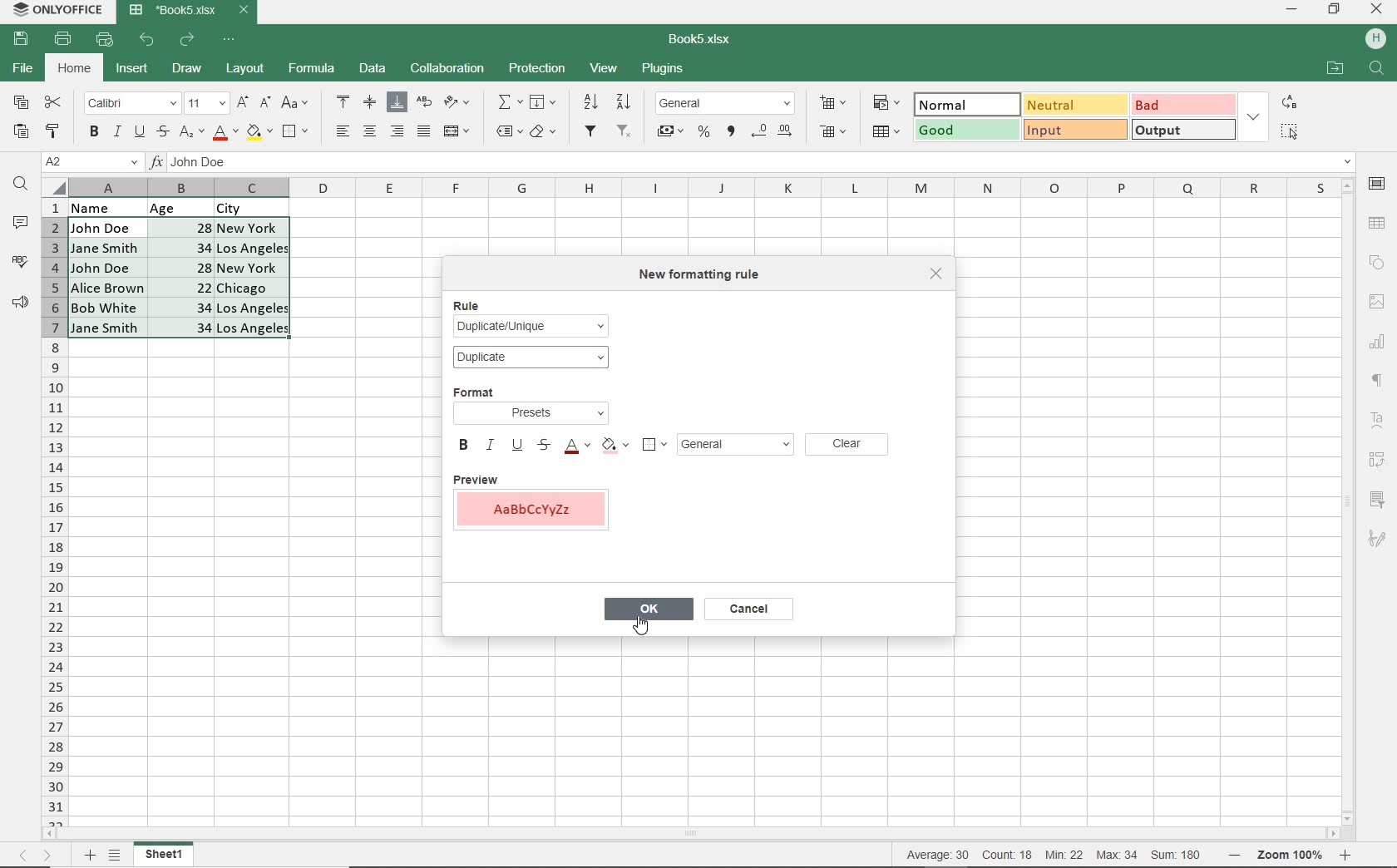 Image resolution: width=1397 pixels, height=868 pixels. I want to click on HP, so click(1375, 40).